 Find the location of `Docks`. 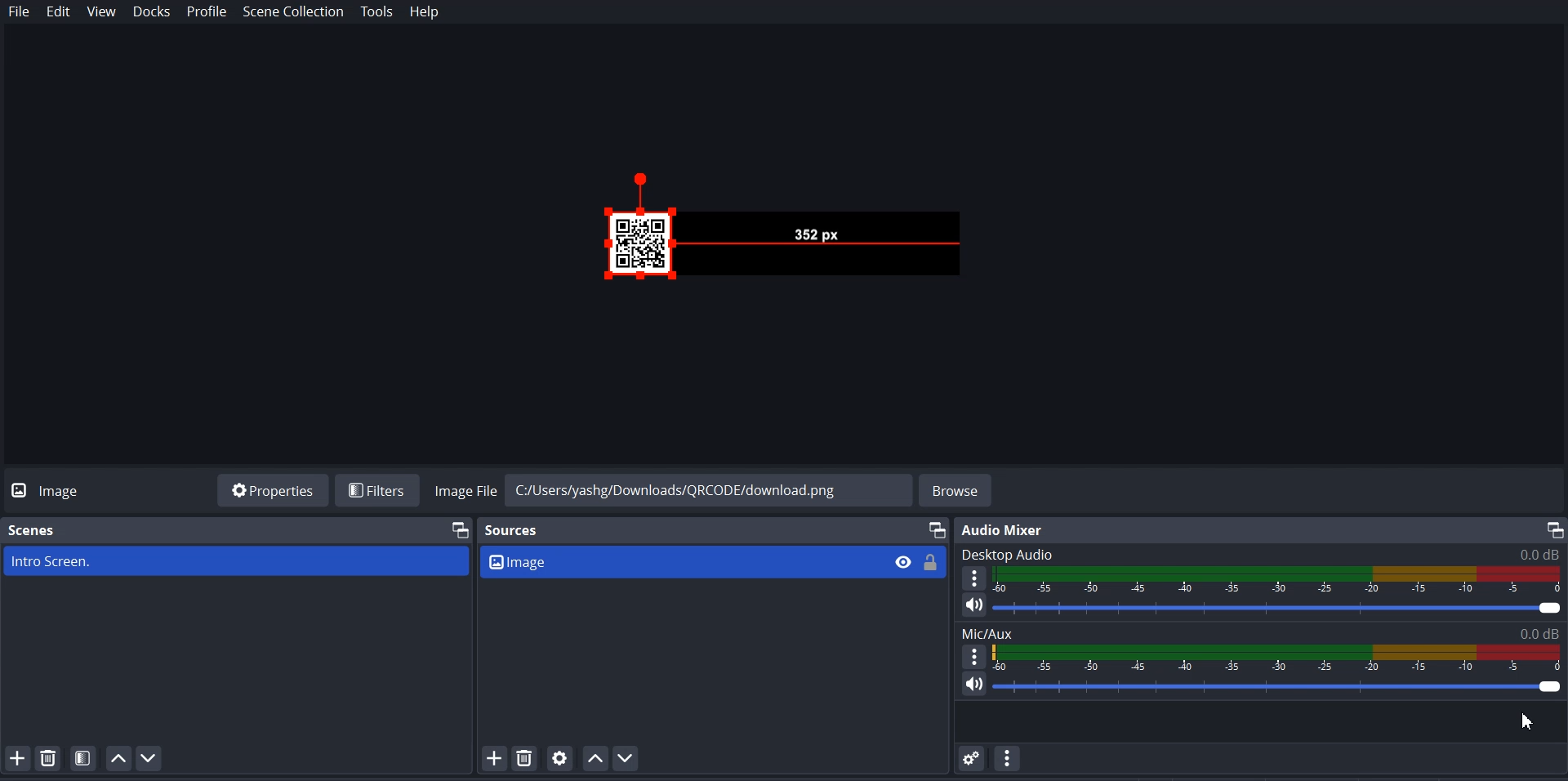

Docks is located at coordinates (151, 11).